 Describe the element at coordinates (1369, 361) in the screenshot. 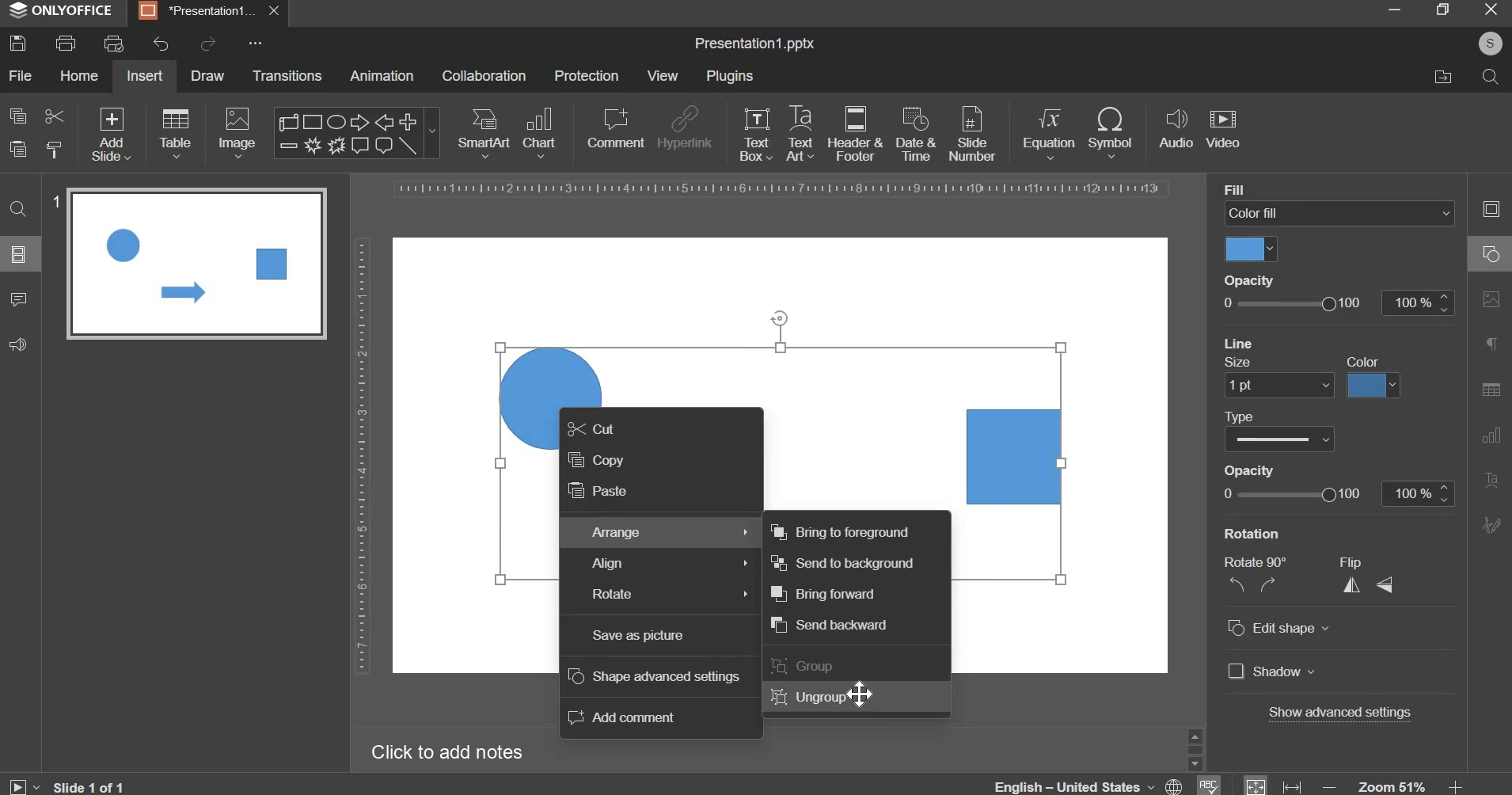

I see `color` at that location.